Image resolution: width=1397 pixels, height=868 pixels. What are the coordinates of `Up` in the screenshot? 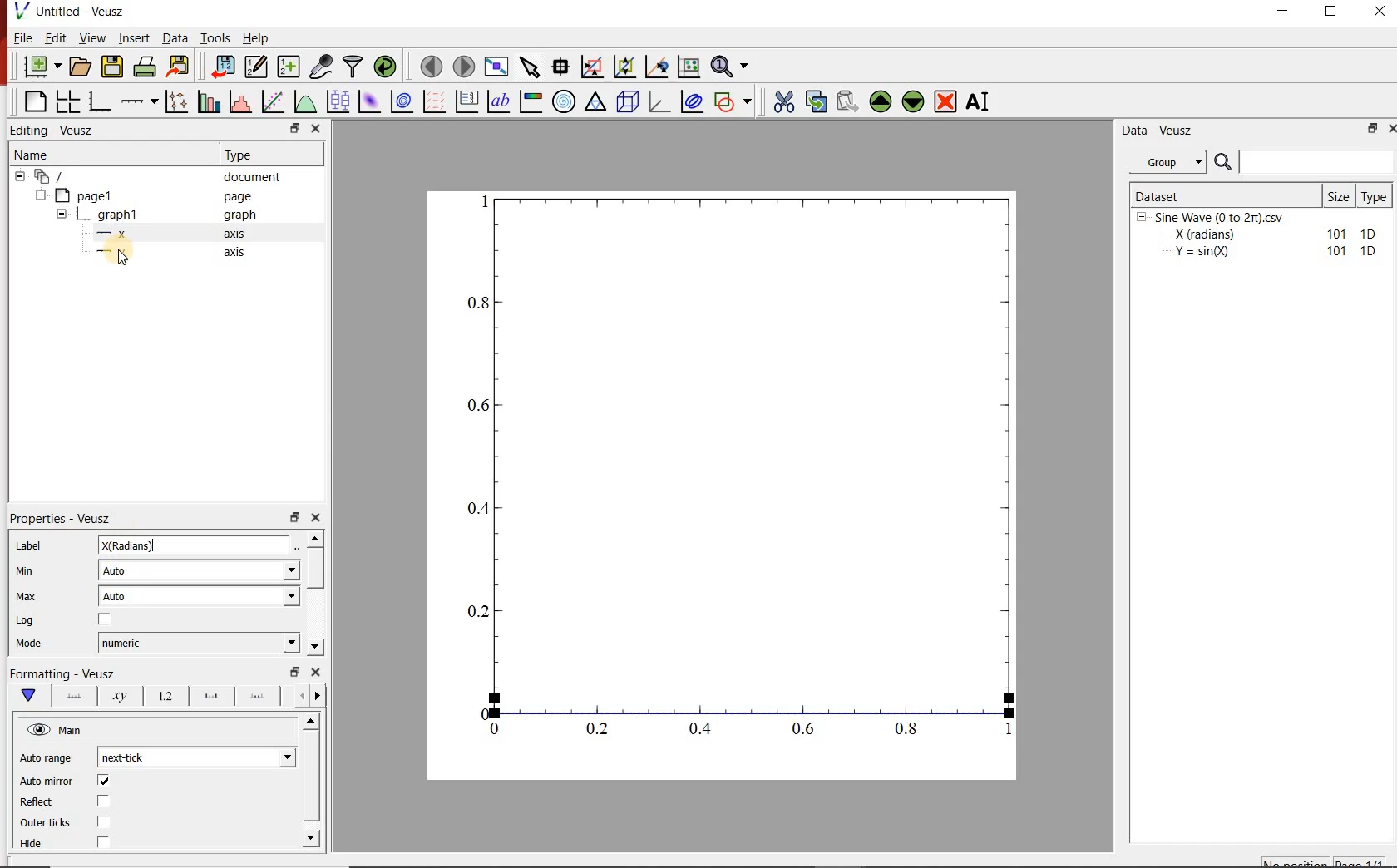 It's located at (310, 722).